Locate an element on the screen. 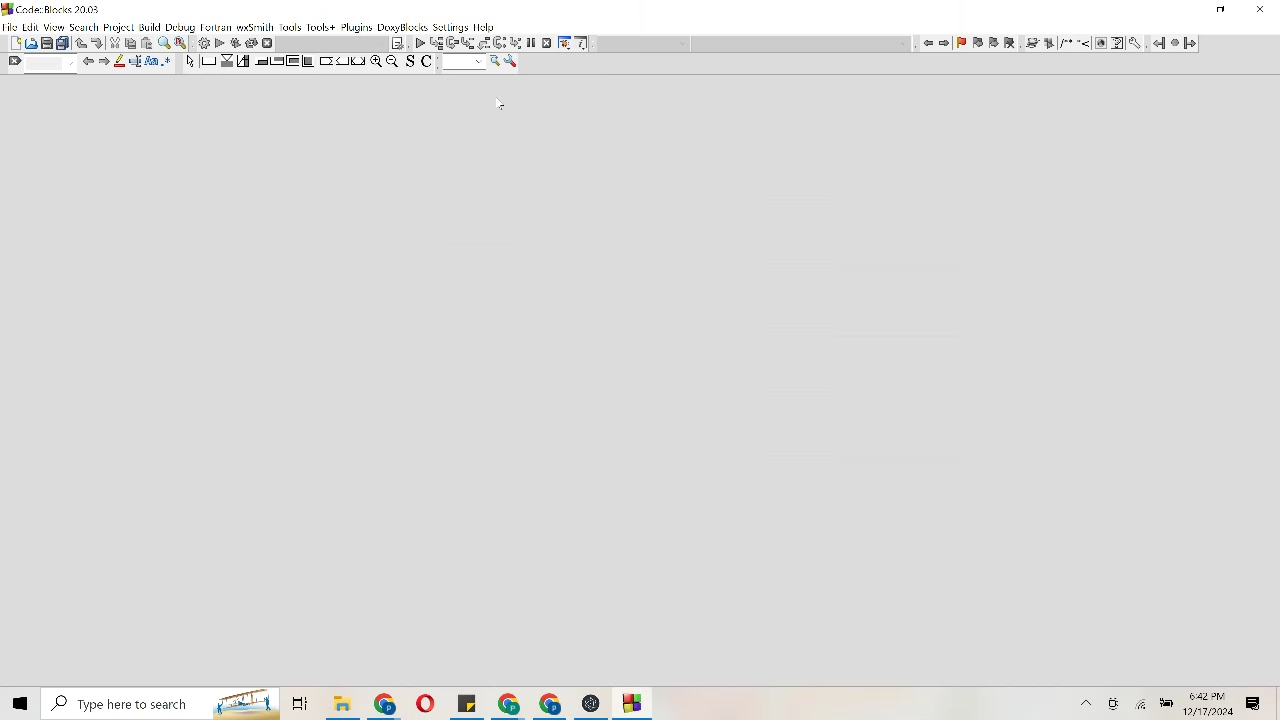  Wifi is located at coordinates (1143, 703).